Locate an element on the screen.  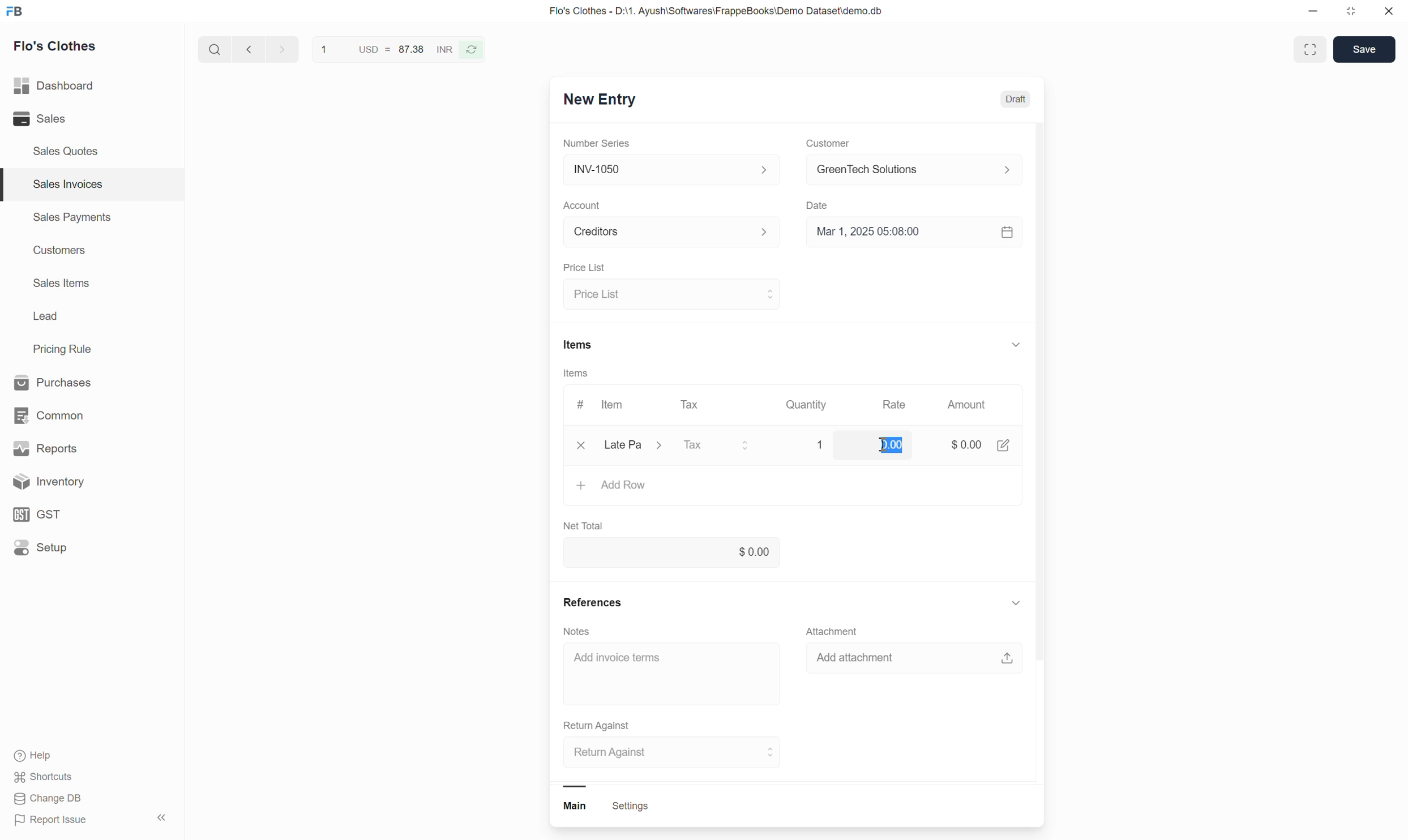
net total input box is located at coordinates (781, 551).